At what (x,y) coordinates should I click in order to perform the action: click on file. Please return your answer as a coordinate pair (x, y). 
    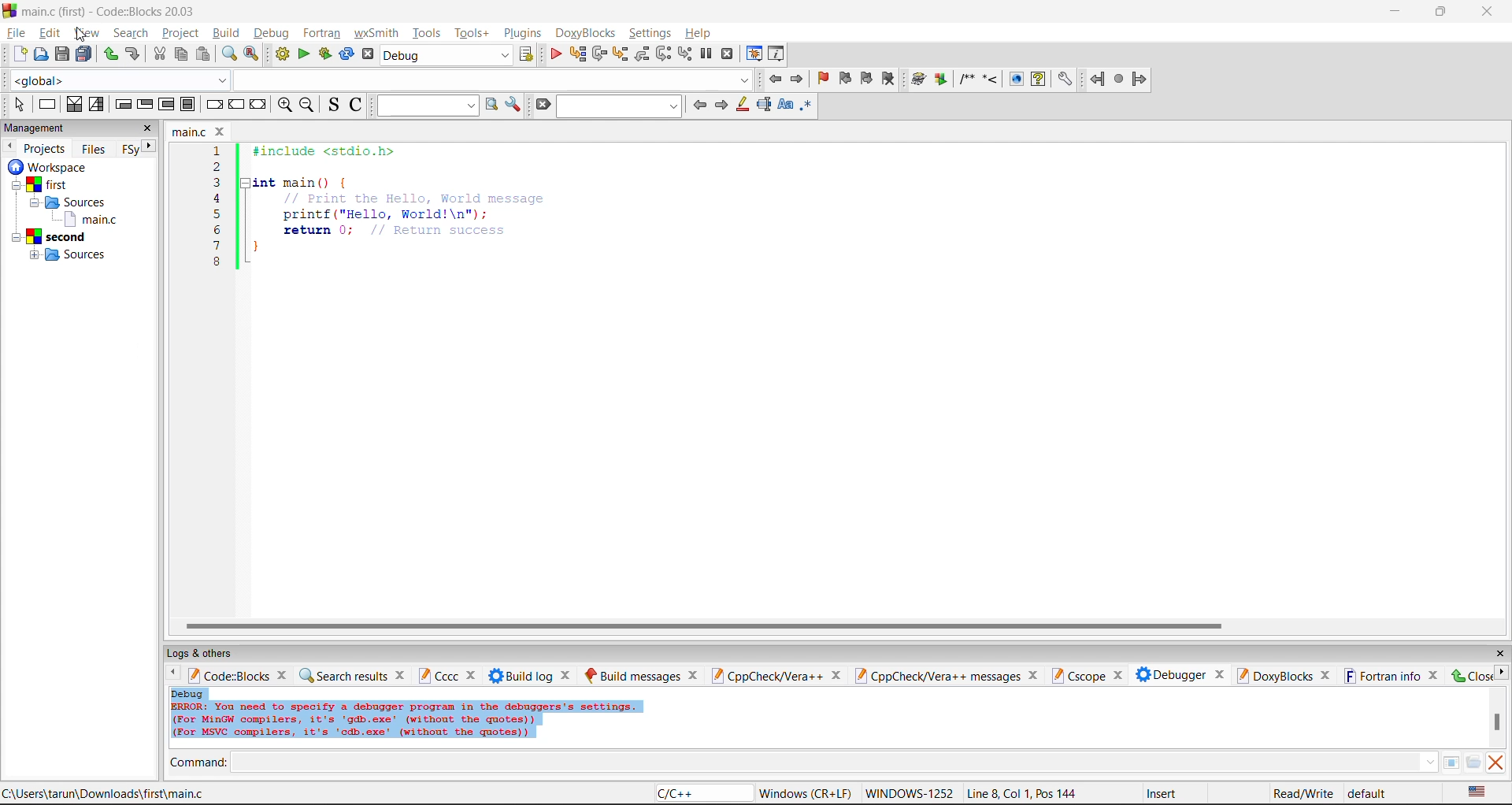
    Looking at the image, I should click on (16, 33).